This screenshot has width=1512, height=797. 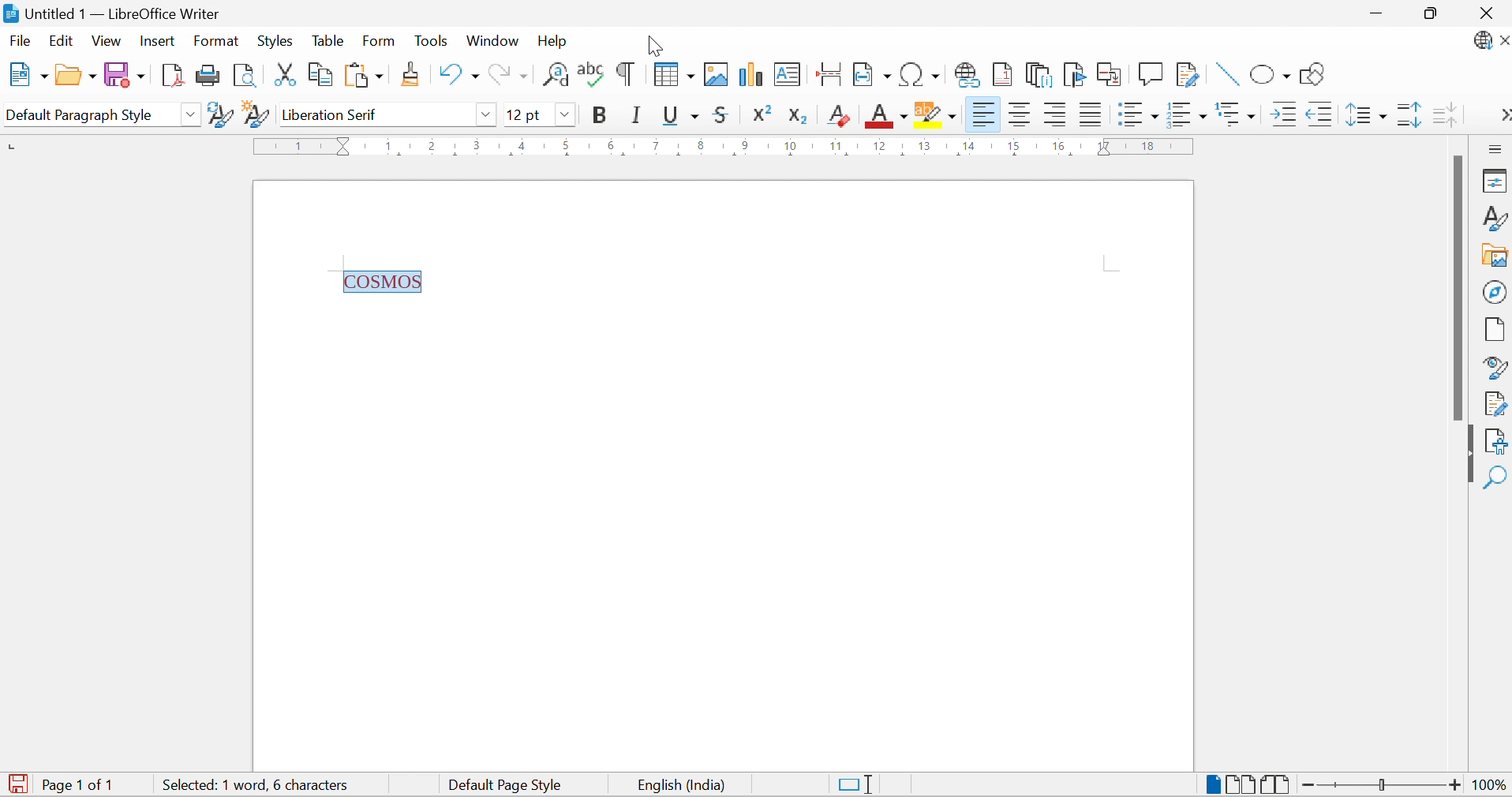 What do you see at coordinates (837, 146) in the screenshot?
I see `11` at bounding box center [837, 146].